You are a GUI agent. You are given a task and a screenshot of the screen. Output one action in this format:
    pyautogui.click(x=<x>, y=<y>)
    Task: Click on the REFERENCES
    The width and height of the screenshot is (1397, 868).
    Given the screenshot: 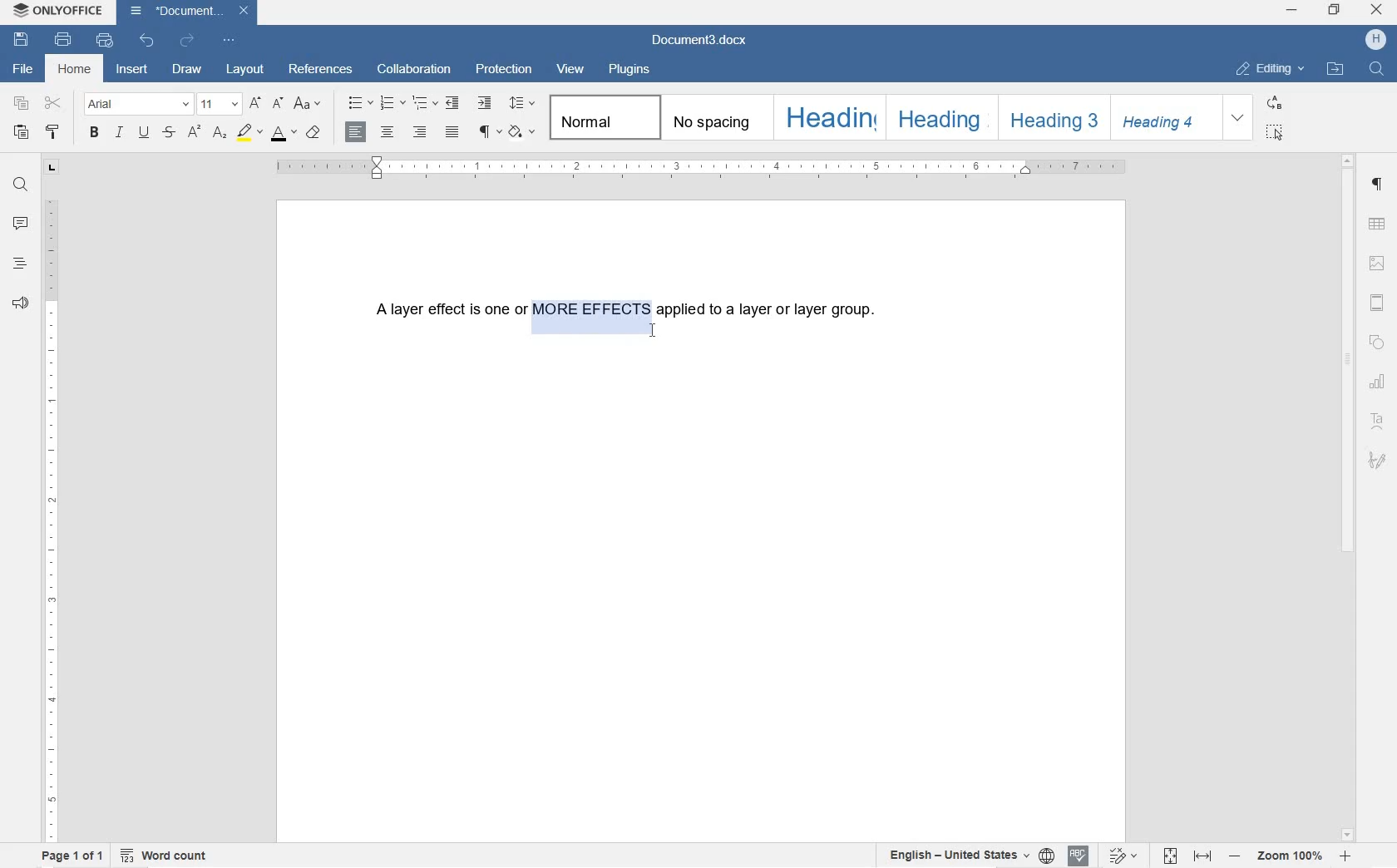 What is the action you would take?
    pyautogui.click(x=323, y=71)
    